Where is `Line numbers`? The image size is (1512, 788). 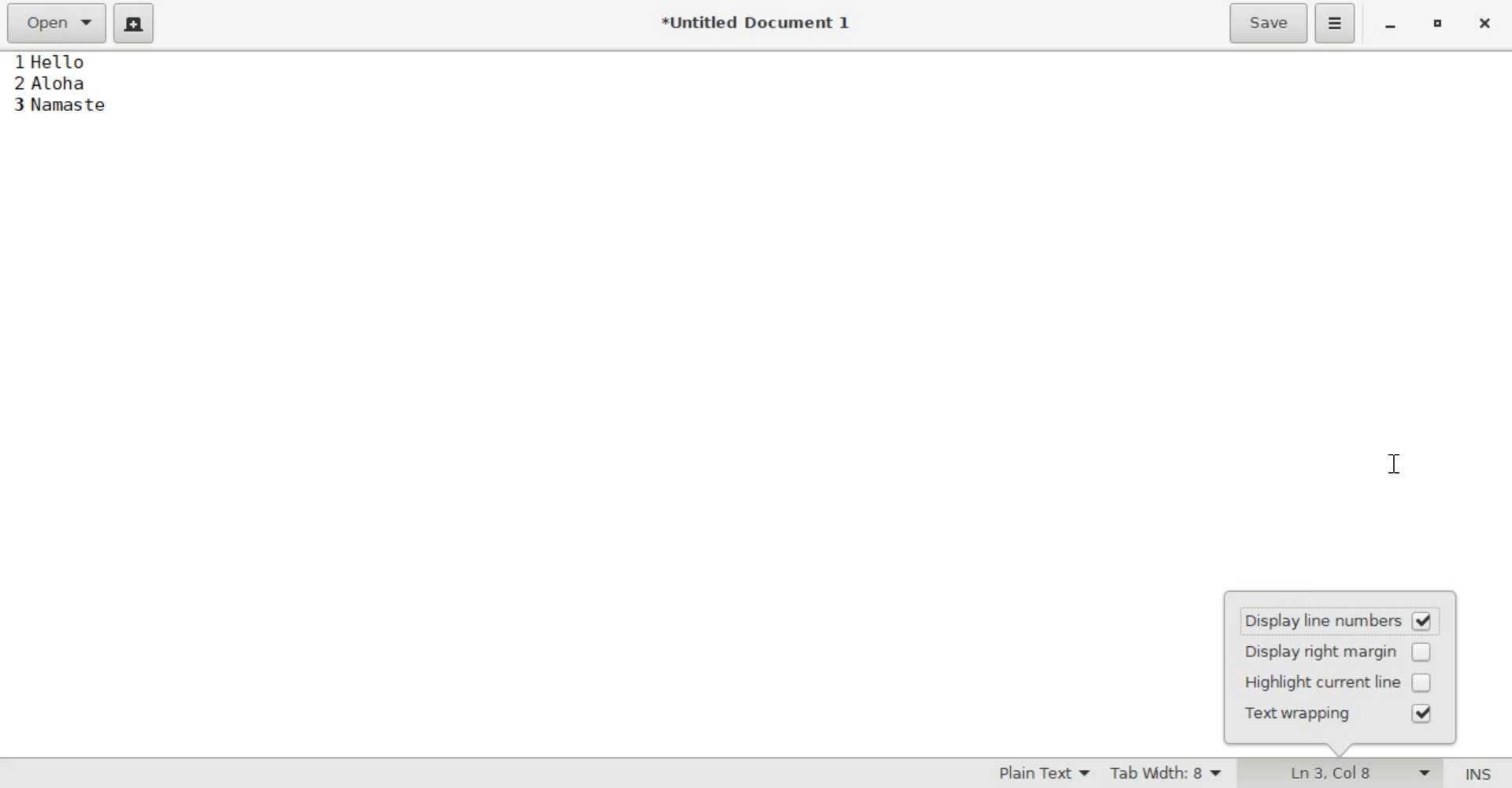
Line numbers is located at coordinates (20, 94).